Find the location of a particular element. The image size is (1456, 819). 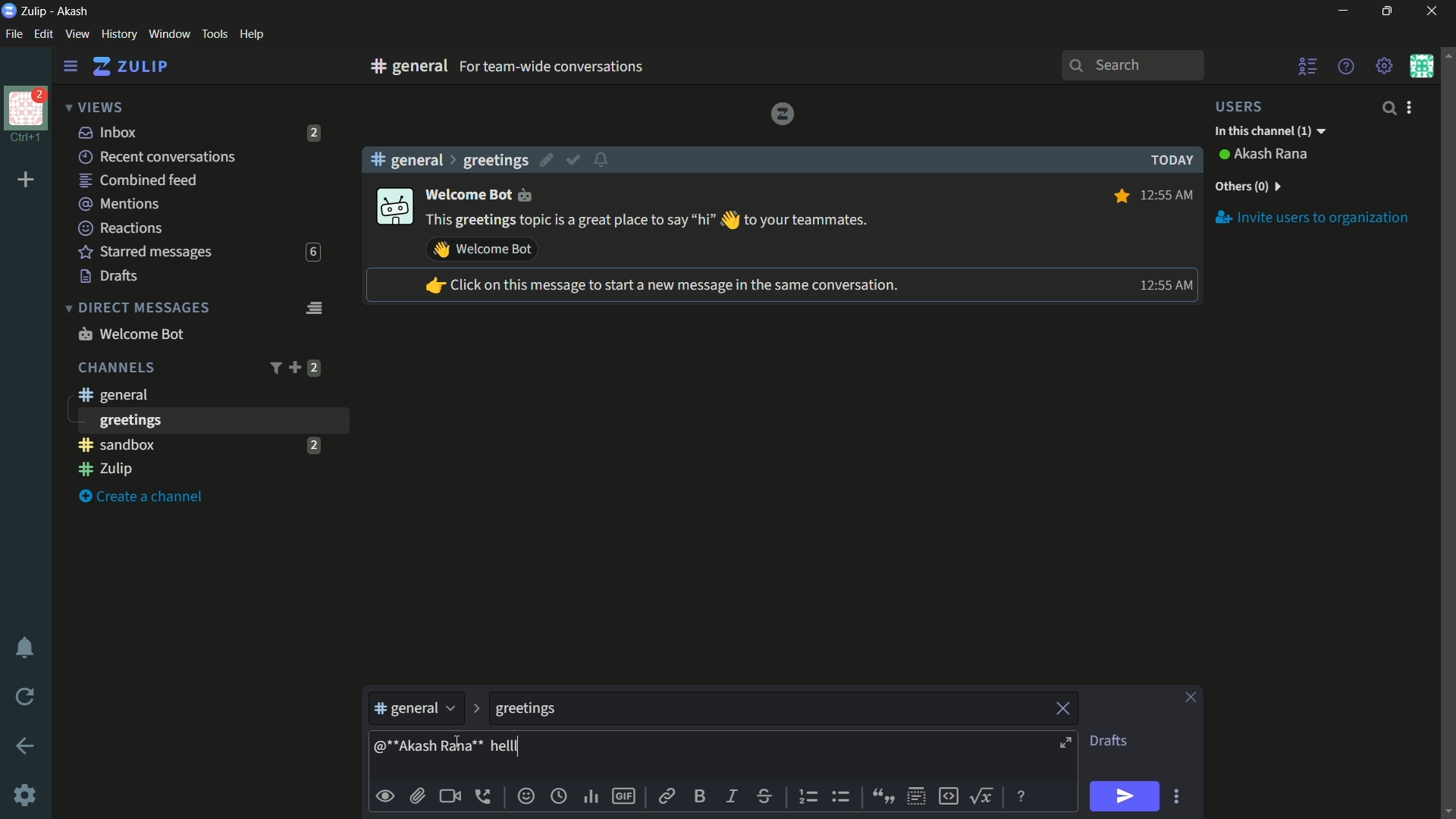

remove topic is located at coordinates (1065, 707).